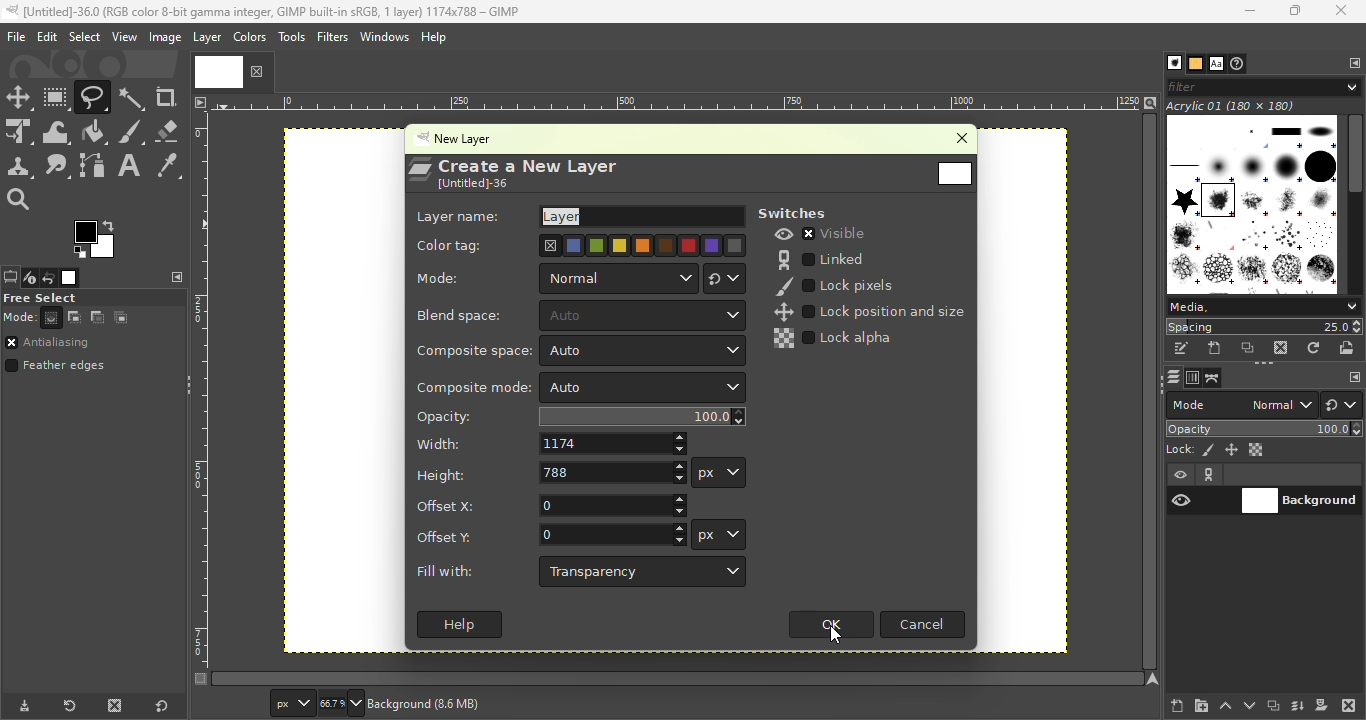 This screenshot has height=720, width=1366. What do you see at coordinates (83, 37) in the screenshot?
I see `` at bounding box center [83, 37].